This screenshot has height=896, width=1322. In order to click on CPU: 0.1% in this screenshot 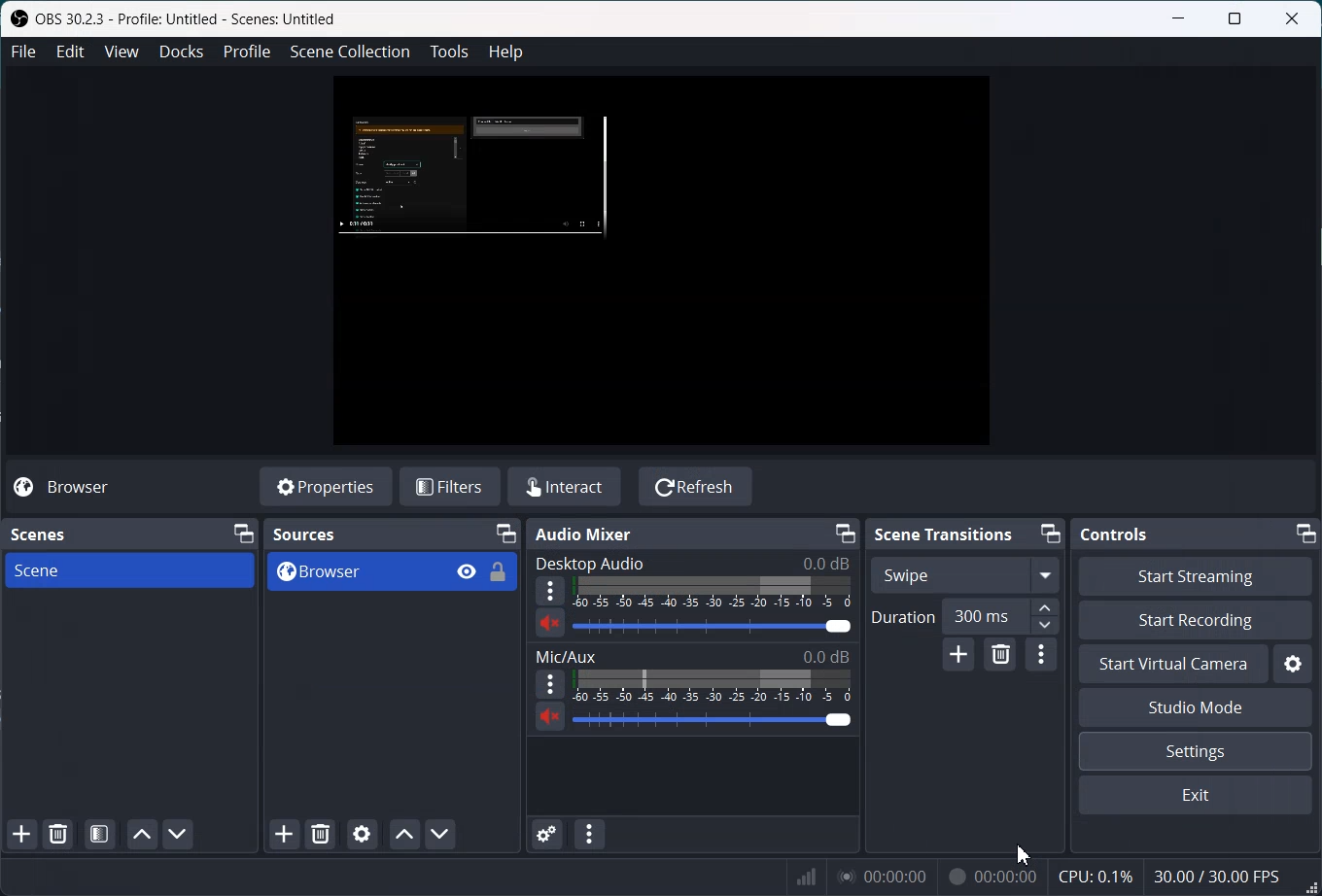, I will do `click(1095, 875)`.